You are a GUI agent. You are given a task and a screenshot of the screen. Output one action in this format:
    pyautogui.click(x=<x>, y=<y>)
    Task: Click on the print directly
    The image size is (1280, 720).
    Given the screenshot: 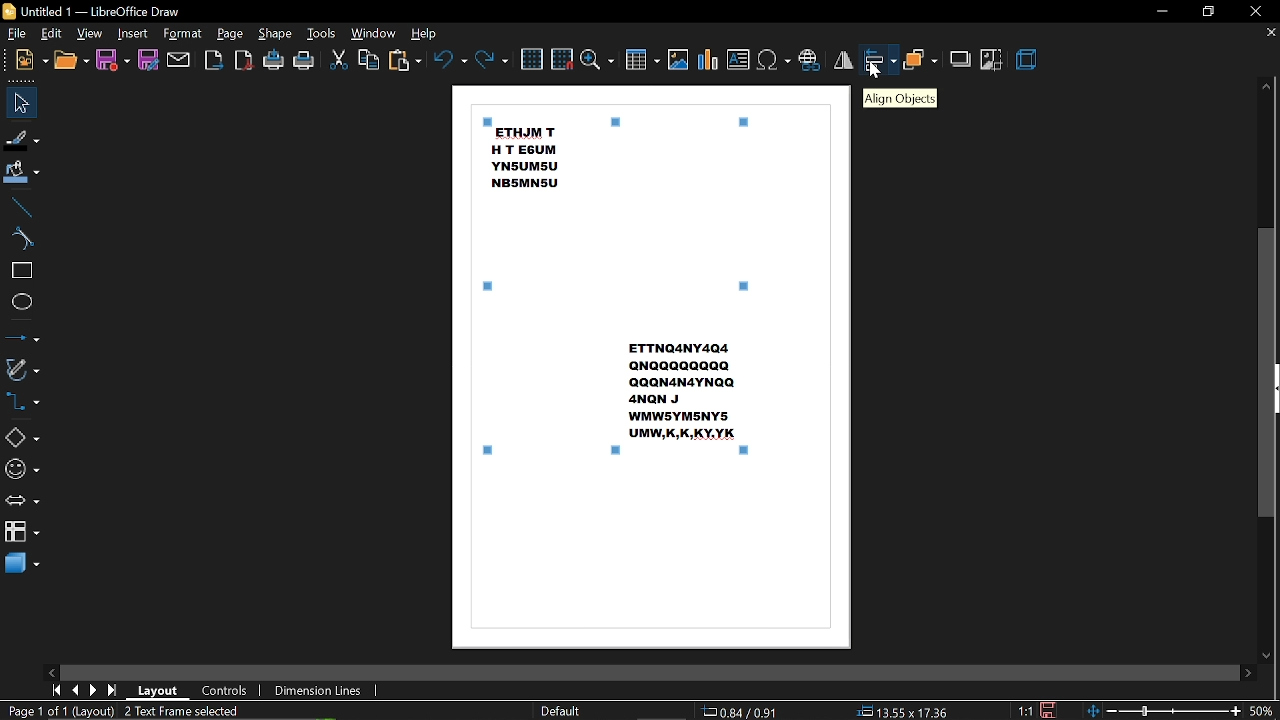 What is the action you would take?
    pyautogui.click(x=274, y=61)
    